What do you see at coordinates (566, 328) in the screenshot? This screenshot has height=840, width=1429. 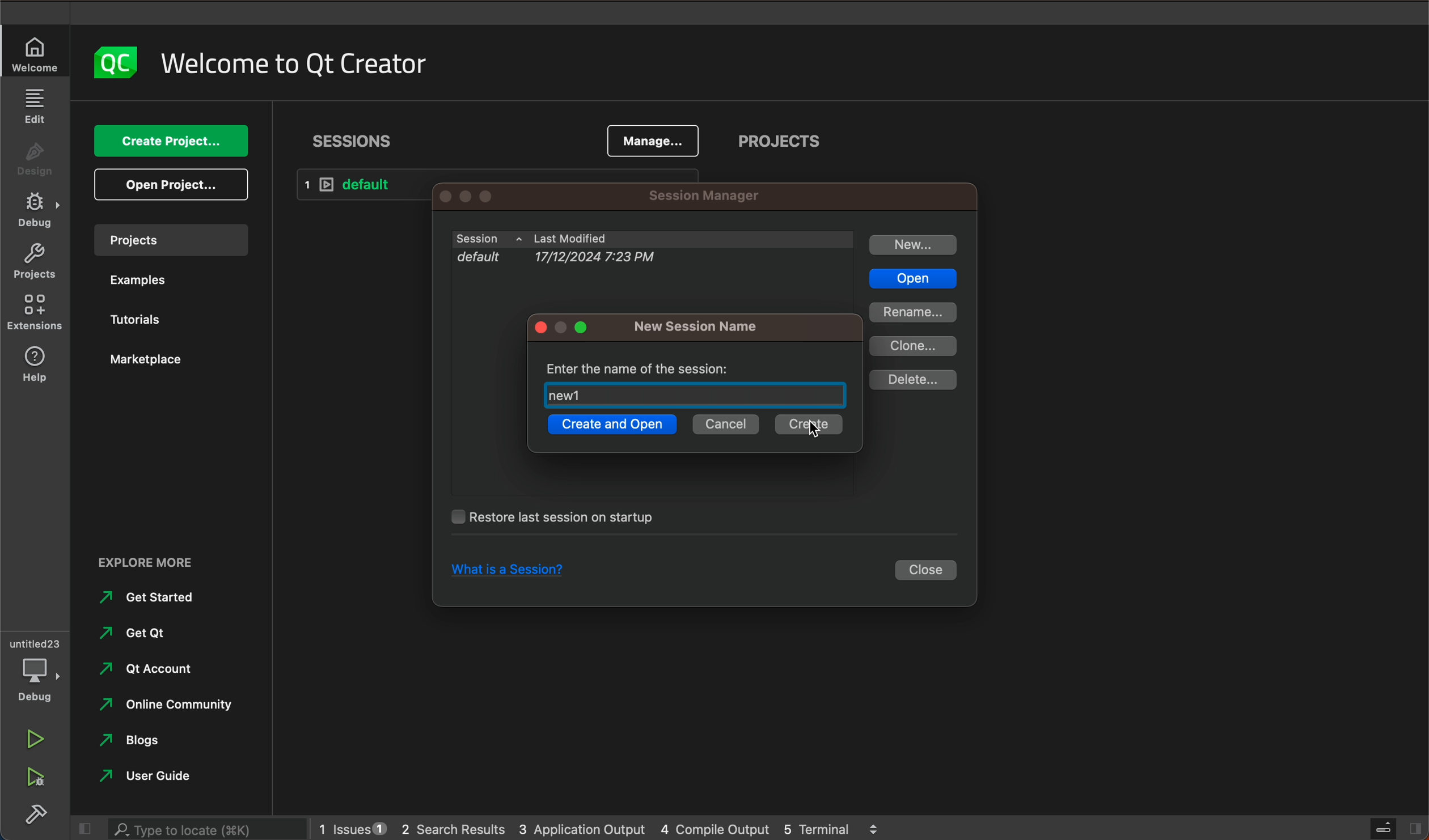 I see `window control` at bounding box center [566, 328].